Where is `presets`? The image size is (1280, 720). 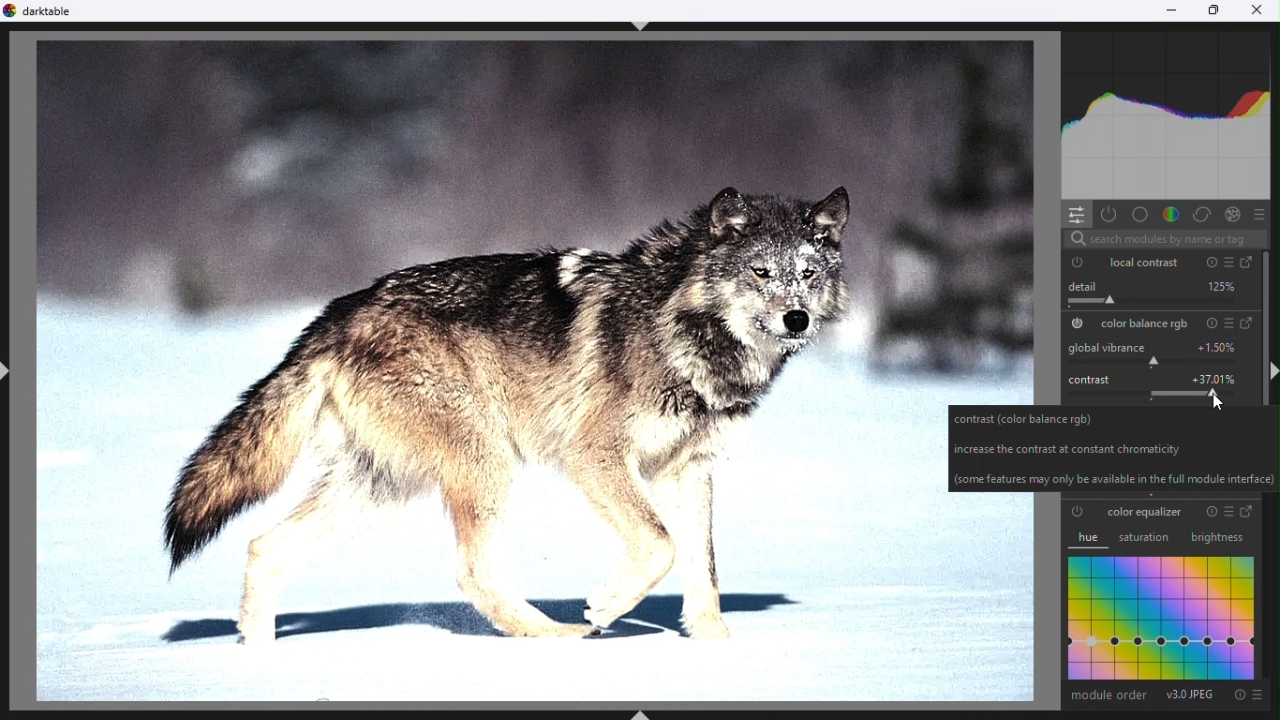 presets is located at coordinates (1262, 213).